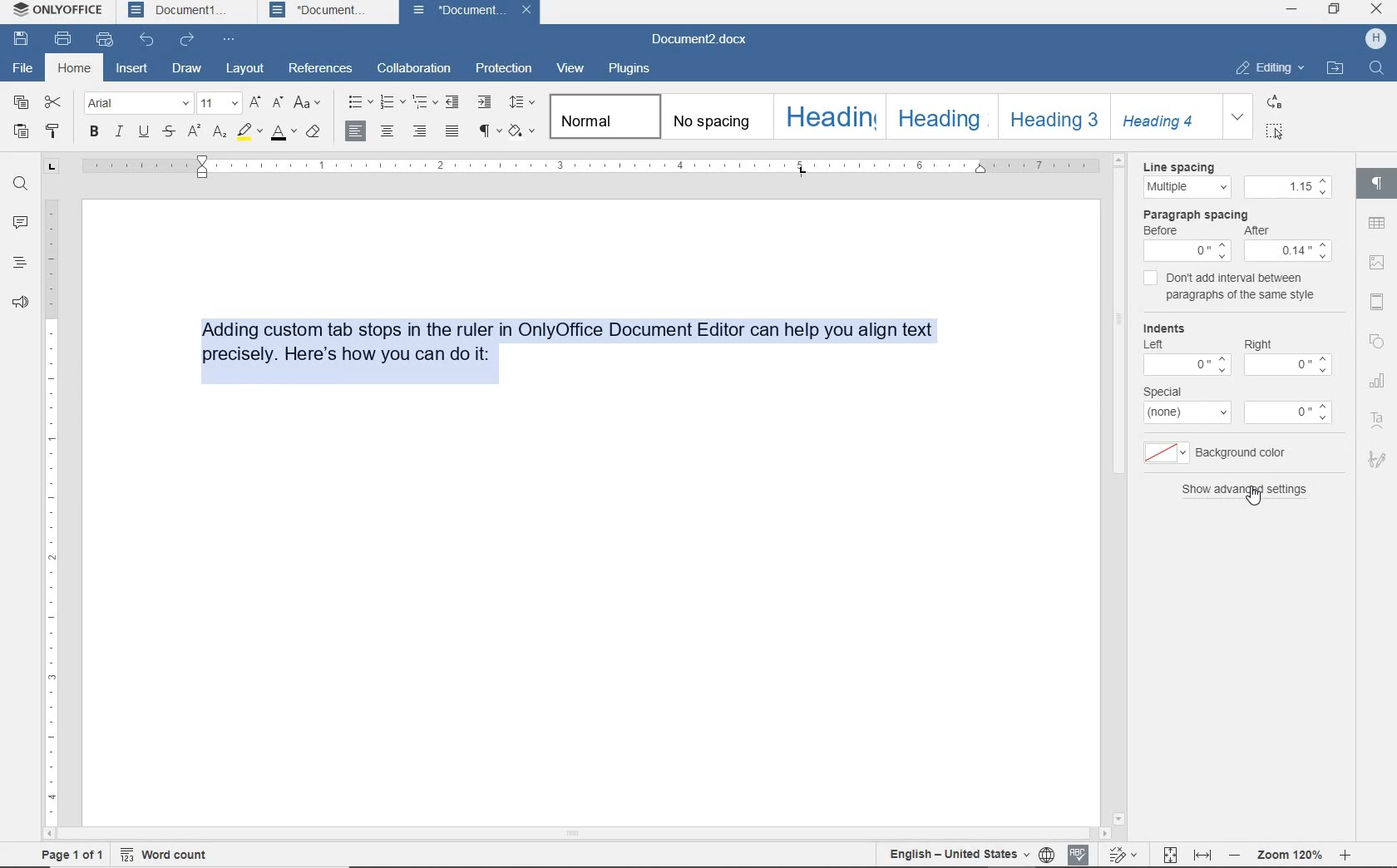 This screenshot has height=868, width=1397. Describe the element at coordinates (52, 104) in the screenshot. I see `cut` at that location.